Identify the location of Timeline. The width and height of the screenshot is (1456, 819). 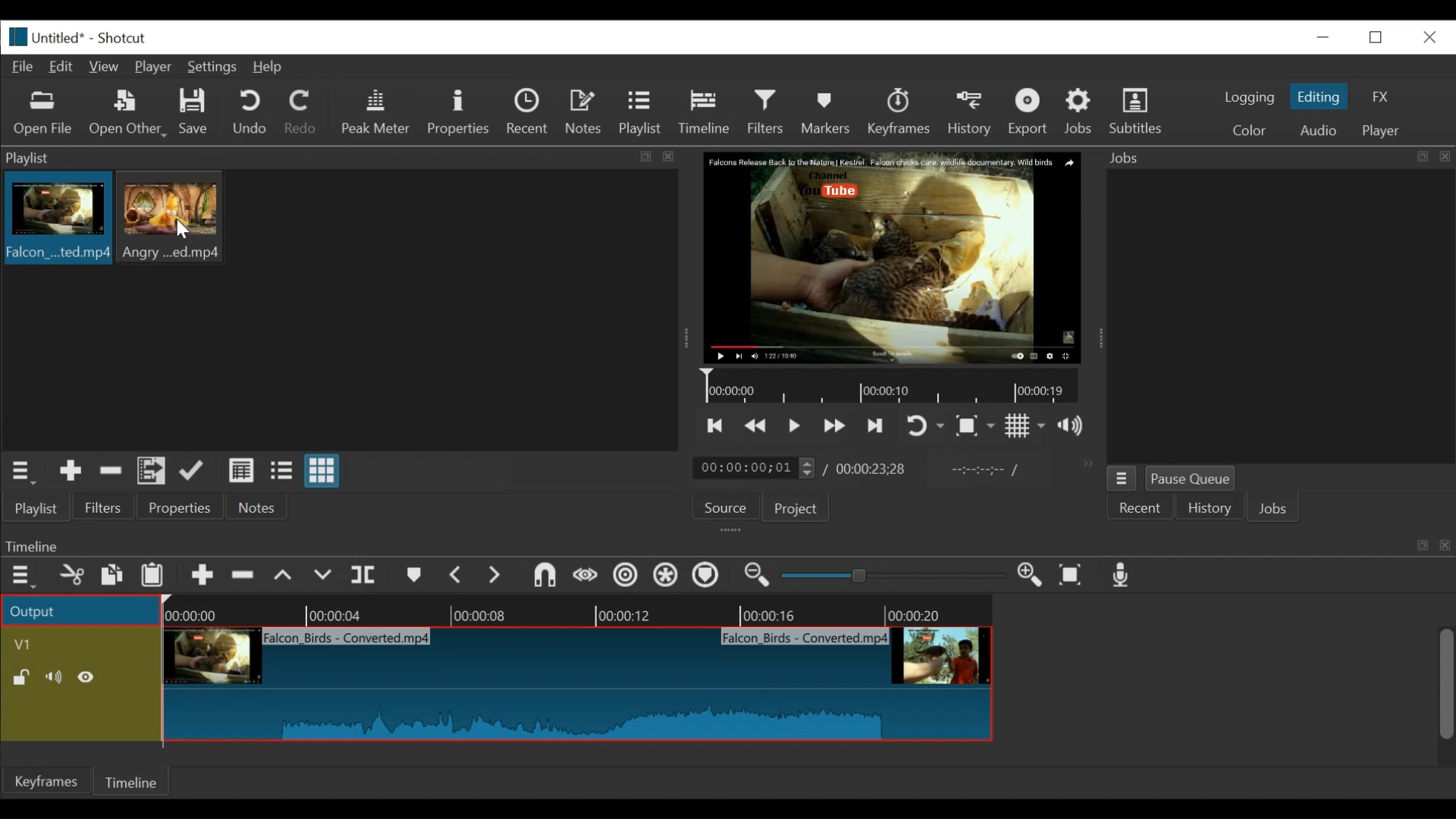
(134, 780).